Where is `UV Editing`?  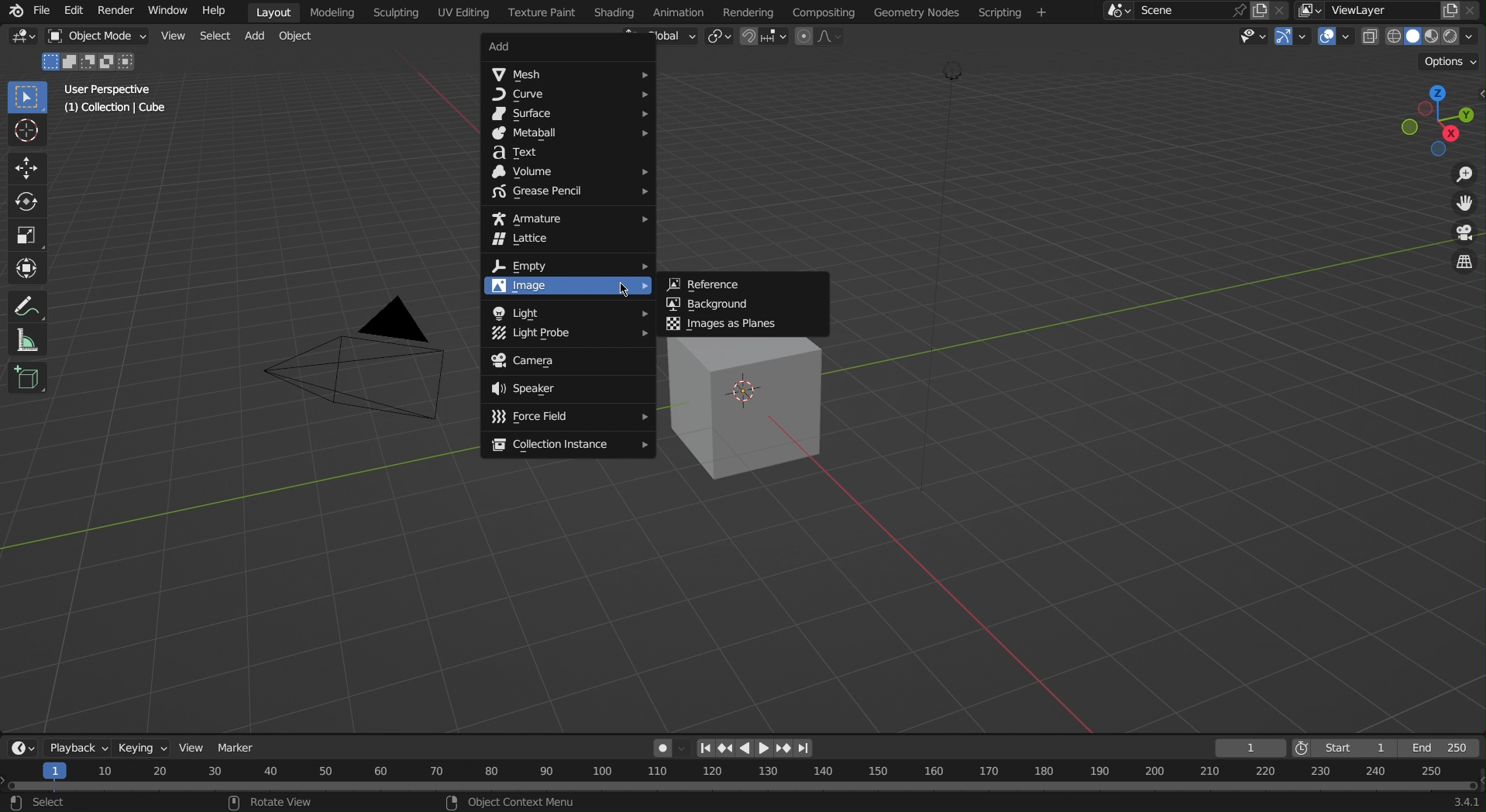
UV Editing is located at coordinates (461, 12).